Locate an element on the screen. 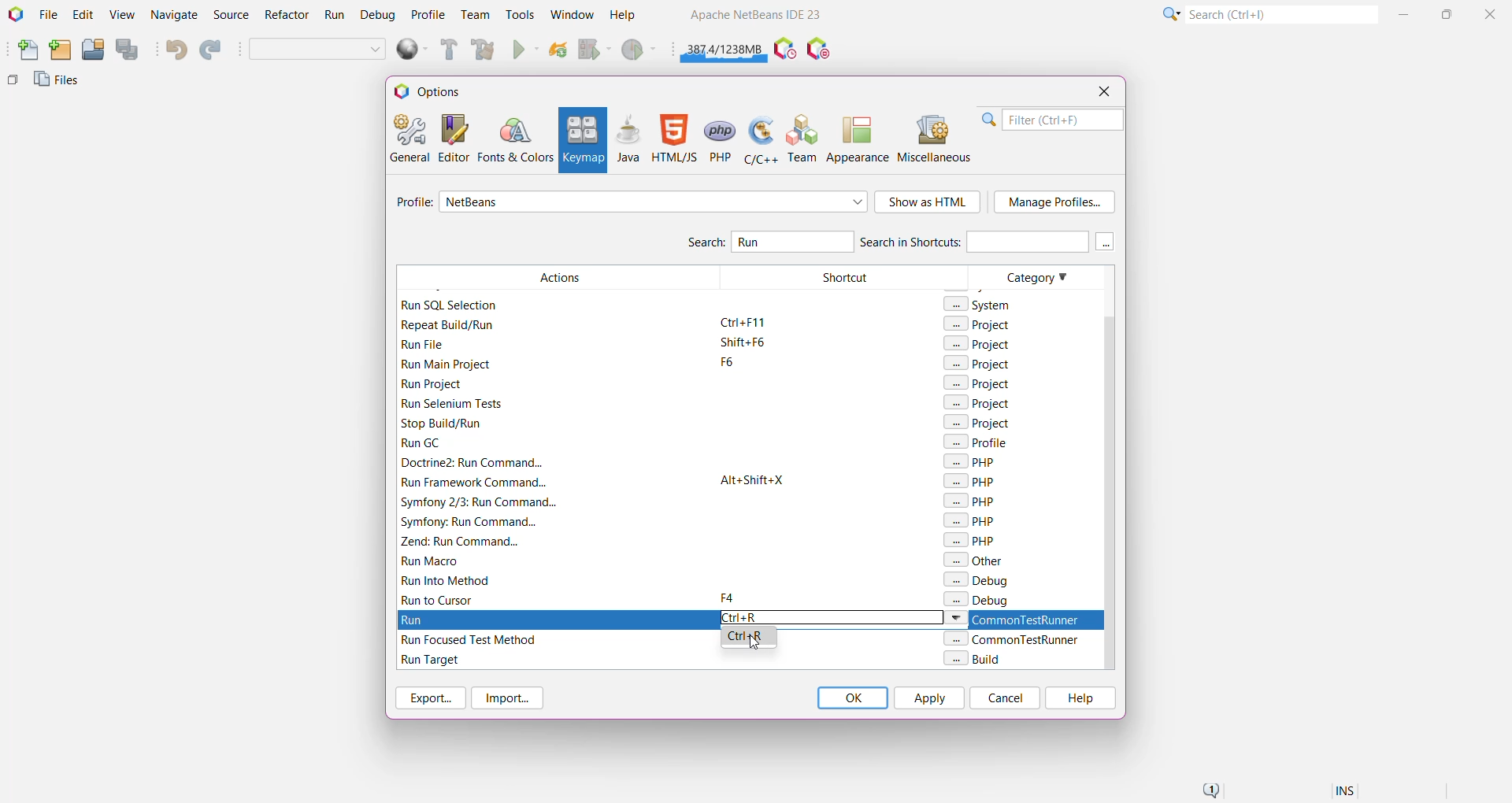 This screenshot has width=1512, height=803. Pause I/O Checks is located at coordinates (820, 50).